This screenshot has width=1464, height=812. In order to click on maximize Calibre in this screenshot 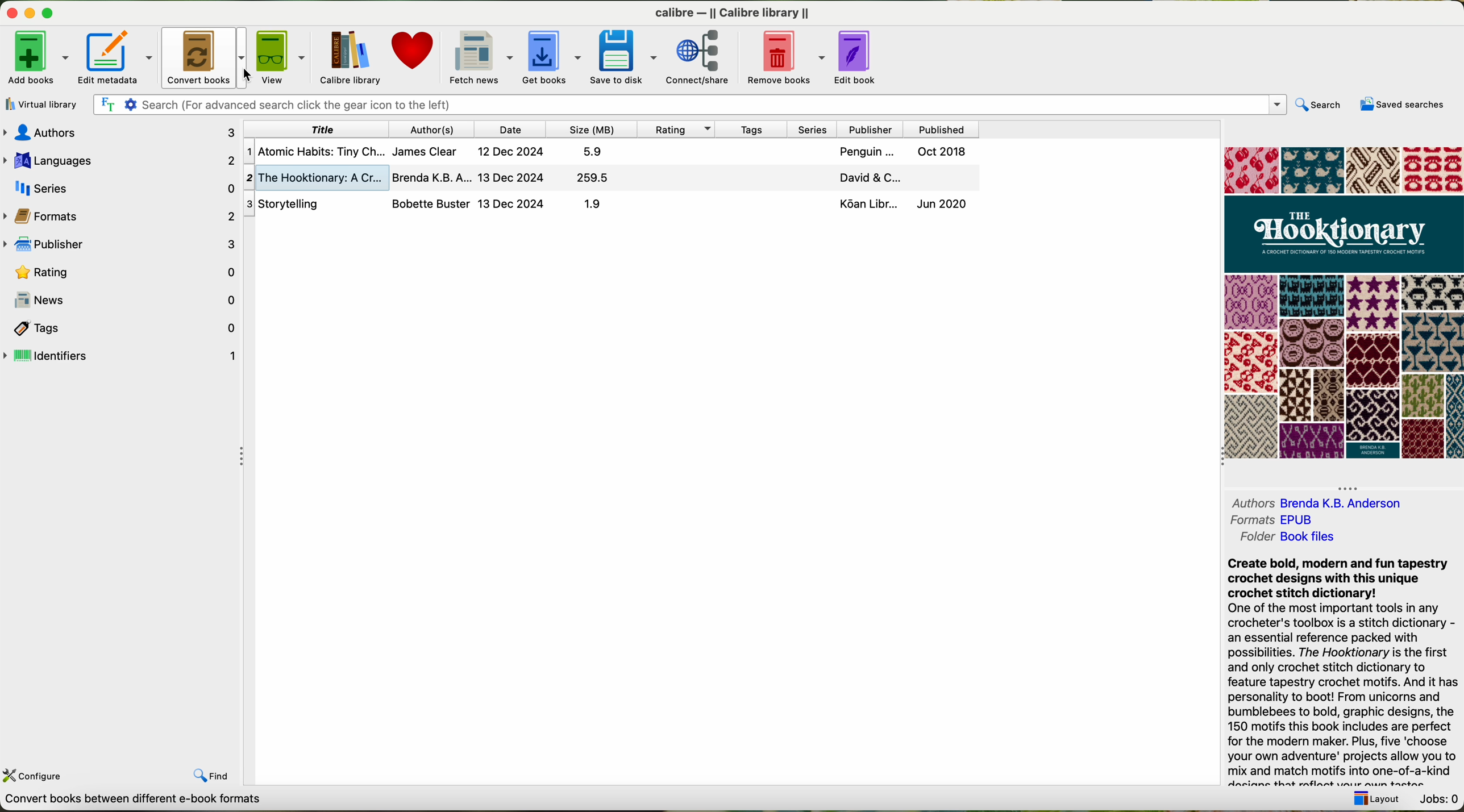, I will do `click(50, 11)`.